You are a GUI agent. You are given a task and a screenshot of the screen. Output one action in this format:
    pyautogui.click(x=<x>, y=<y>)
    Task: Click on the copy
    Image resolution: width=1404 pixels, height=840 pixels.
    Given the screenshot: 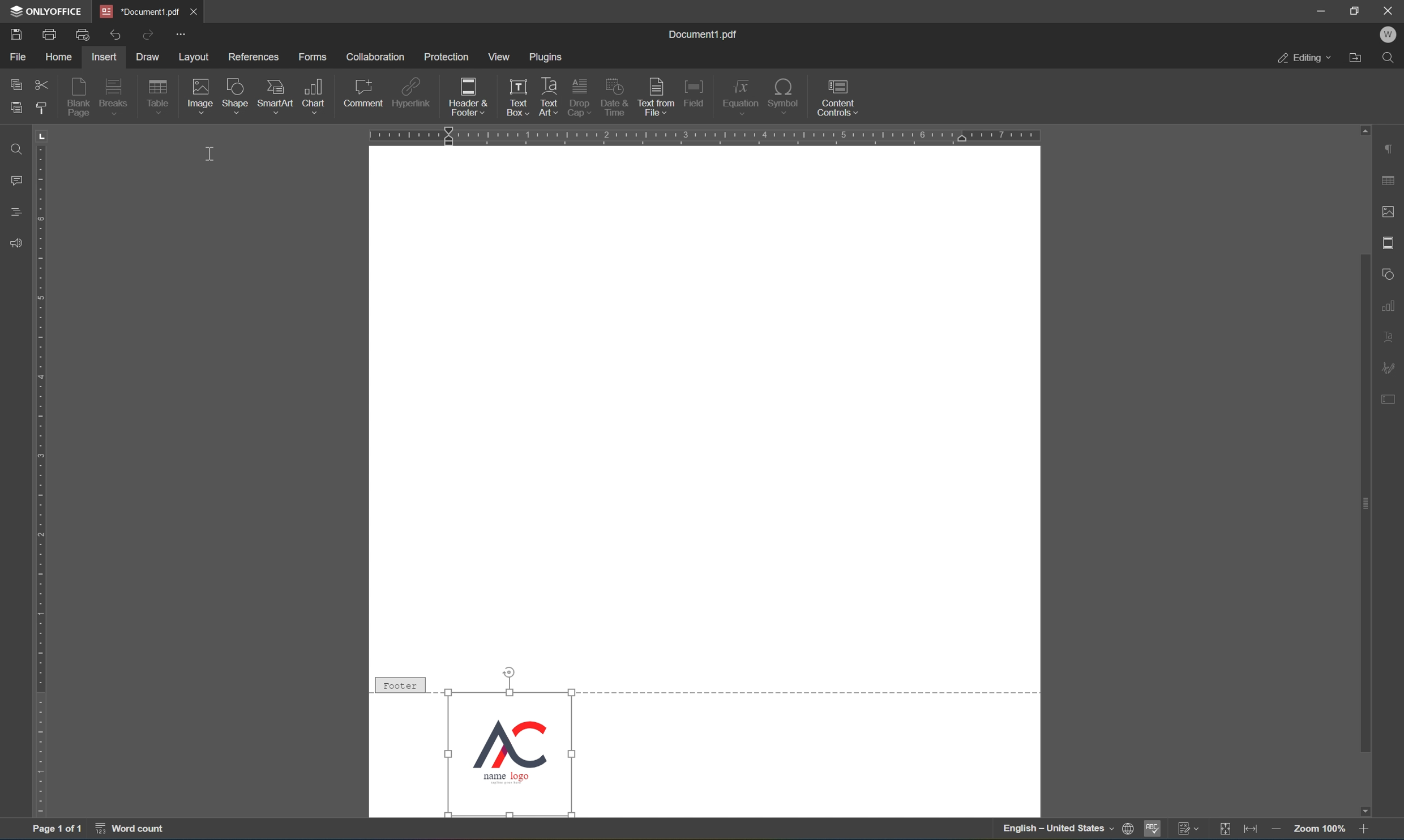 What is the action you would take?
    pyautogui.click(x=19, y=85)
    